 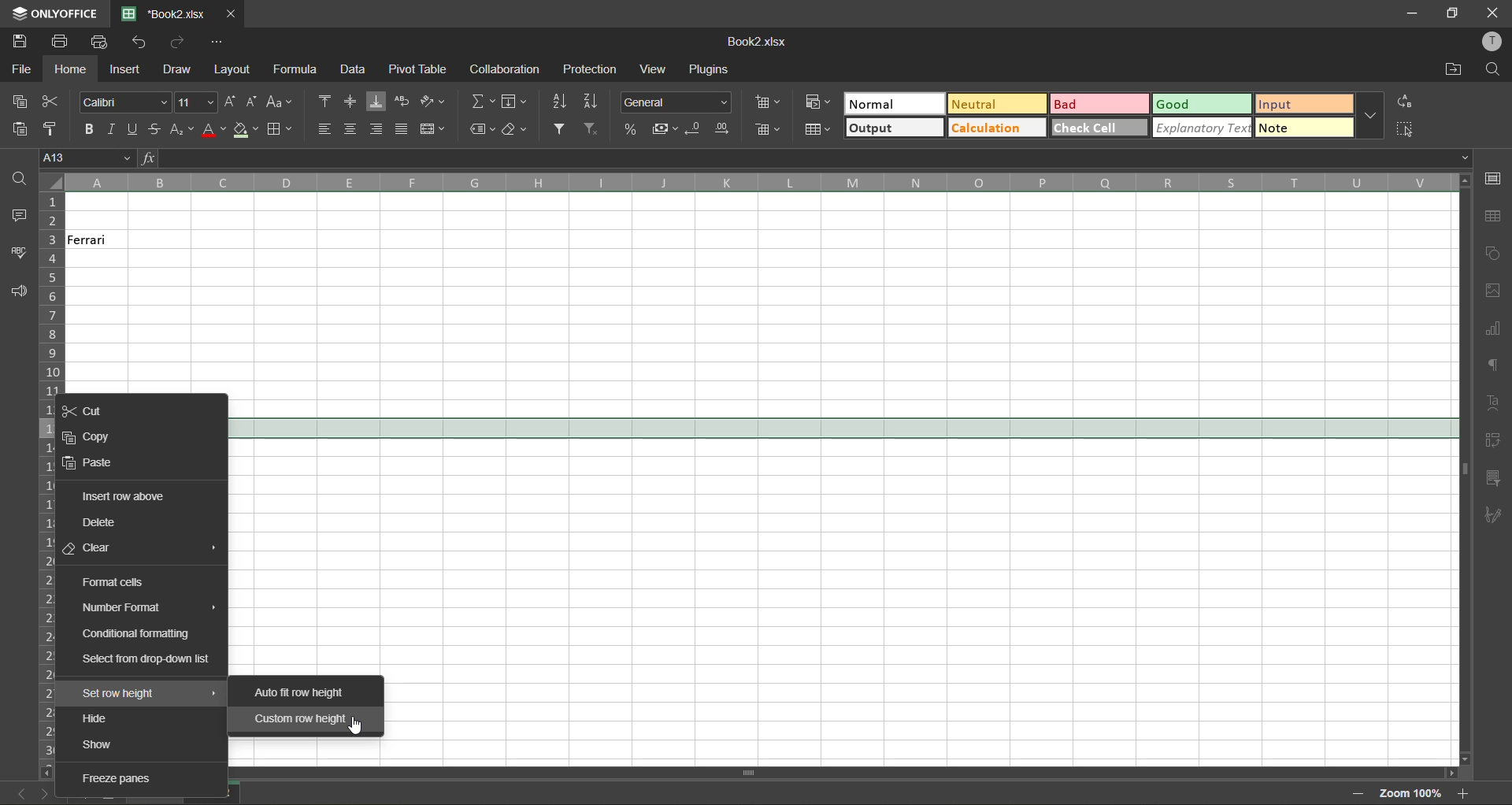 I want to click on clear filter, so click(x=593, y=131).